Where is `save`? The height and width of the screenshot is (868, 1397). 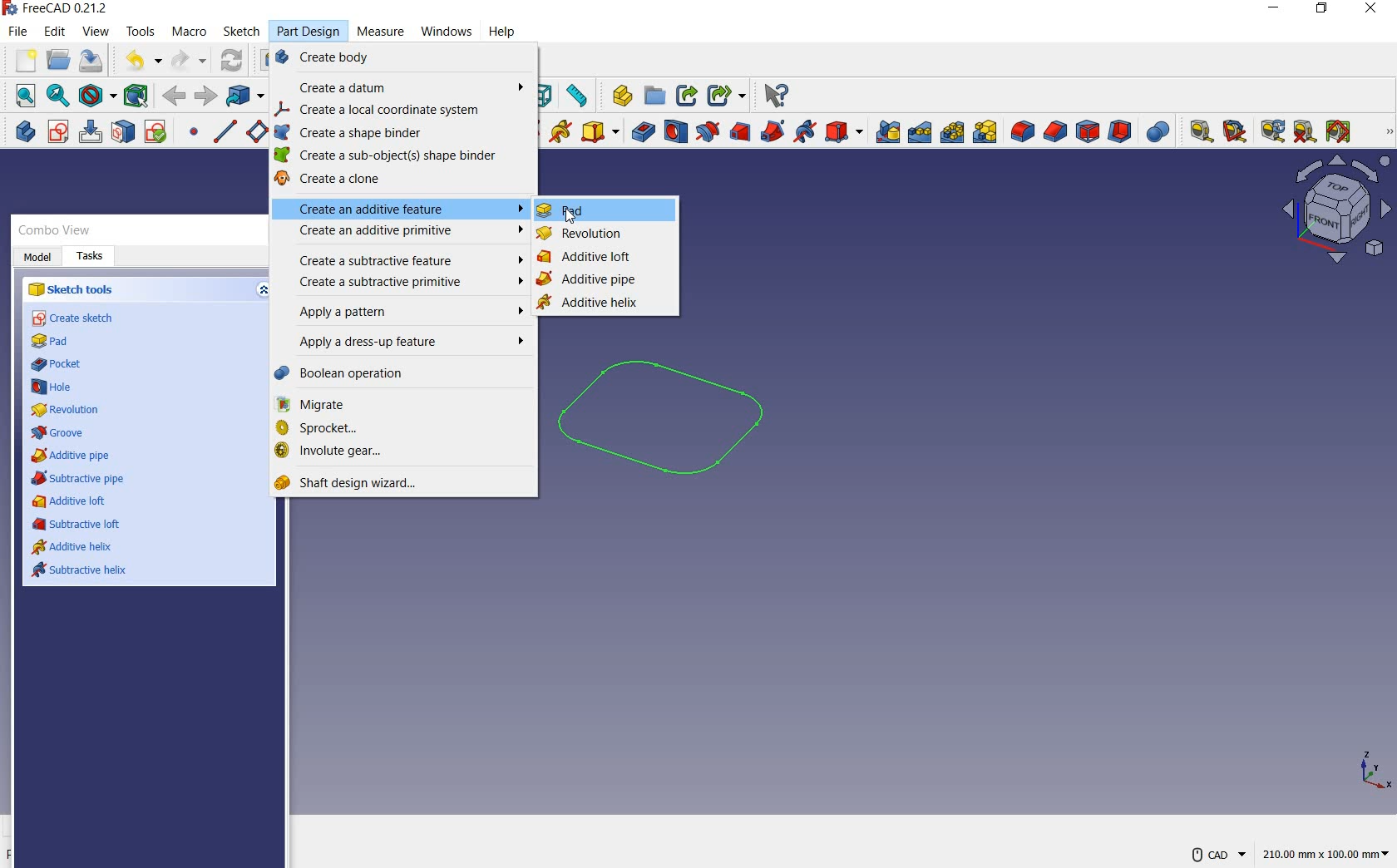
save is located at coordinates (94, 61).